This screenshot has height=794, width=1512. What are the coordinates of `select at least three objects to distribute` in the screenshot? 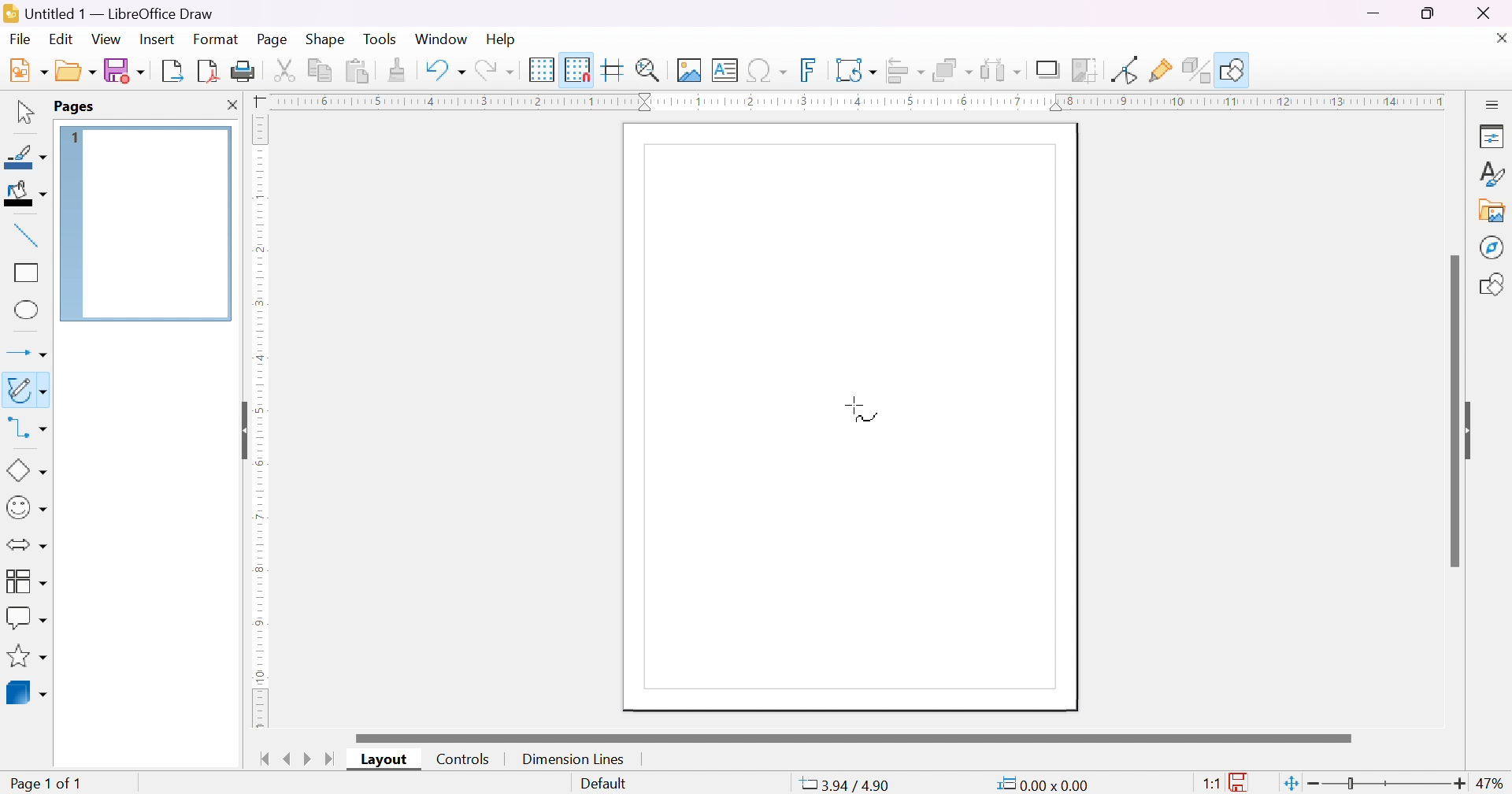 It's located at (1001, 70).